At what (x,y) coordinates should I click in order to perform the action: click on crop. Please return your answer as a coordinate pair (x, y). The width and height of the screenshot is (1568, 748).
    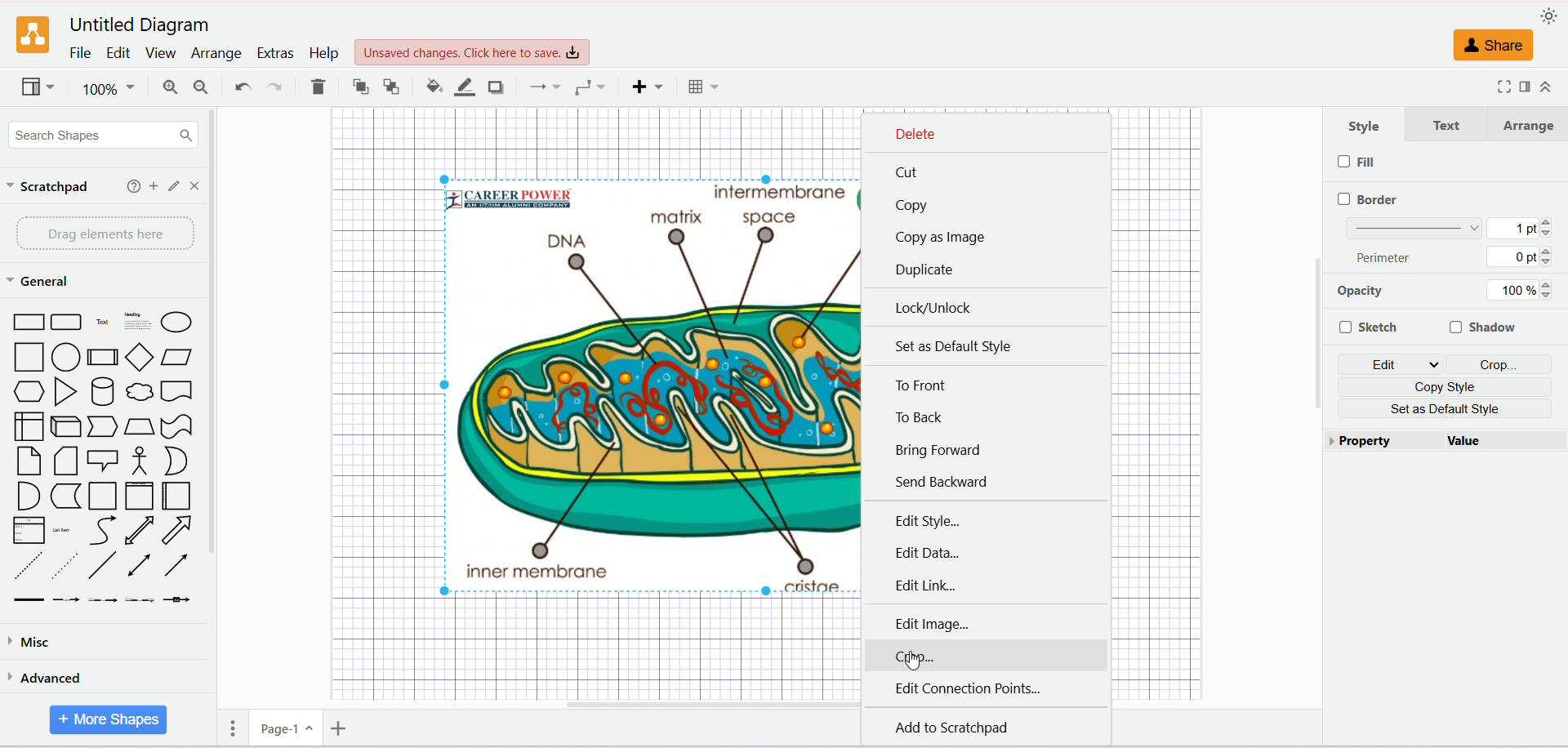
    Looking at the image, I should click on (987, 655).